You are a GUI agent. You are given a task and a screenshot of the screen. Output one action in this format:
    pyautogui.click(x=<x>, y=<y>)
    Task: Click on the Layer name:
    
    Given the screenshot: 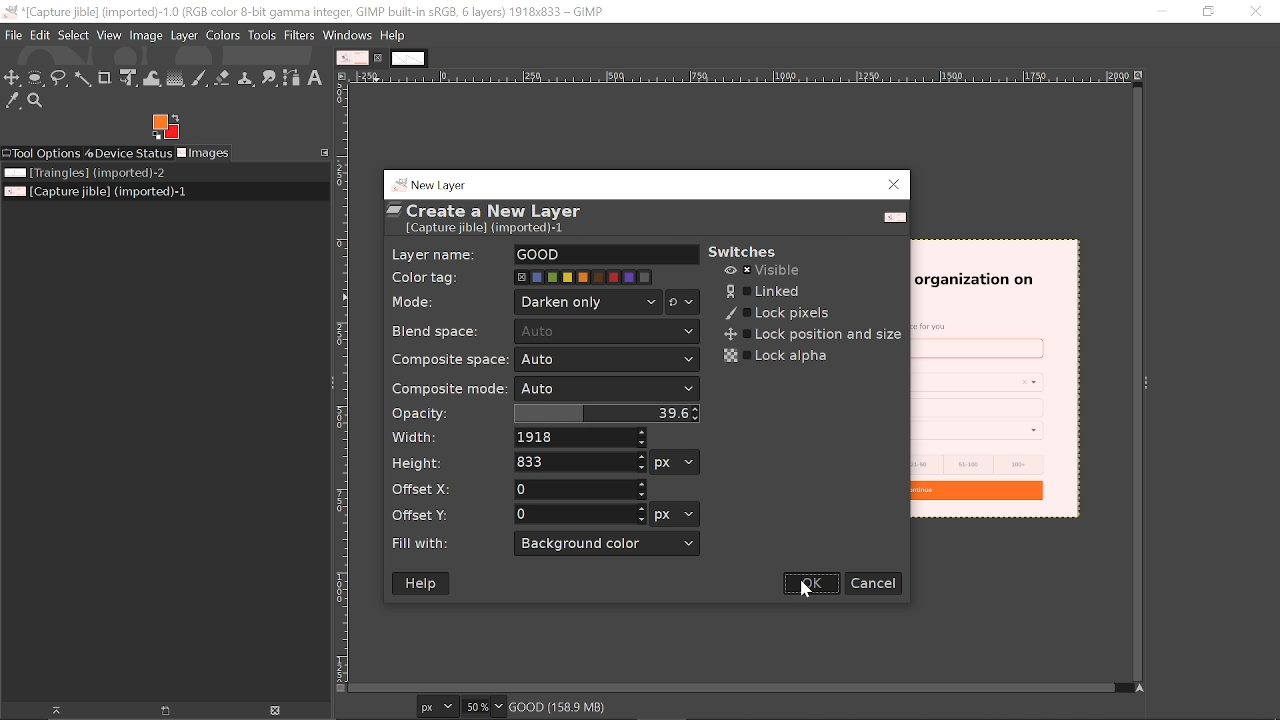 What is the action you would take?
    pyautogui.click(x=435, y=253)
    